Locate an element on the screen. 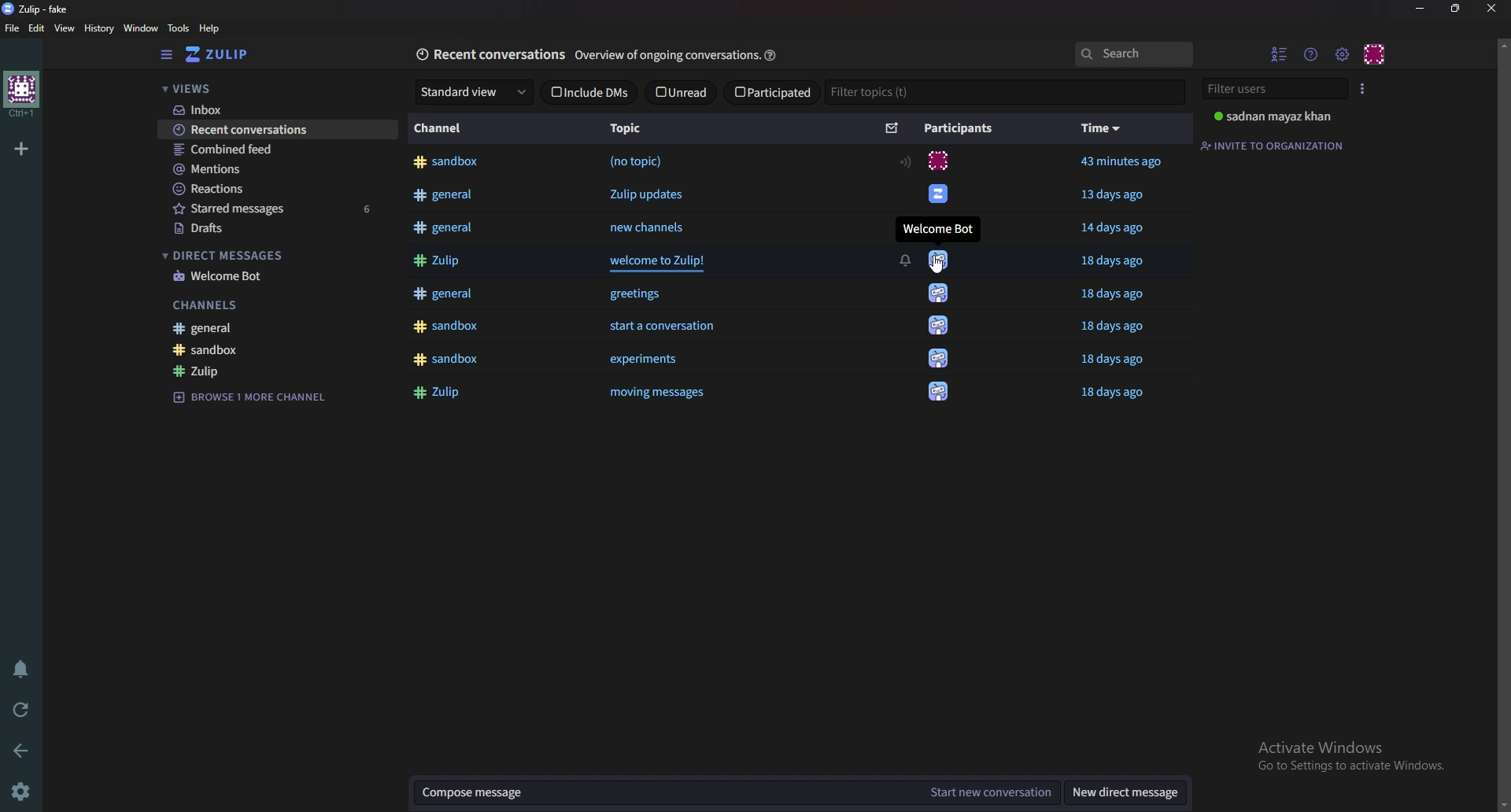  home is located at coordinates (22, 95).